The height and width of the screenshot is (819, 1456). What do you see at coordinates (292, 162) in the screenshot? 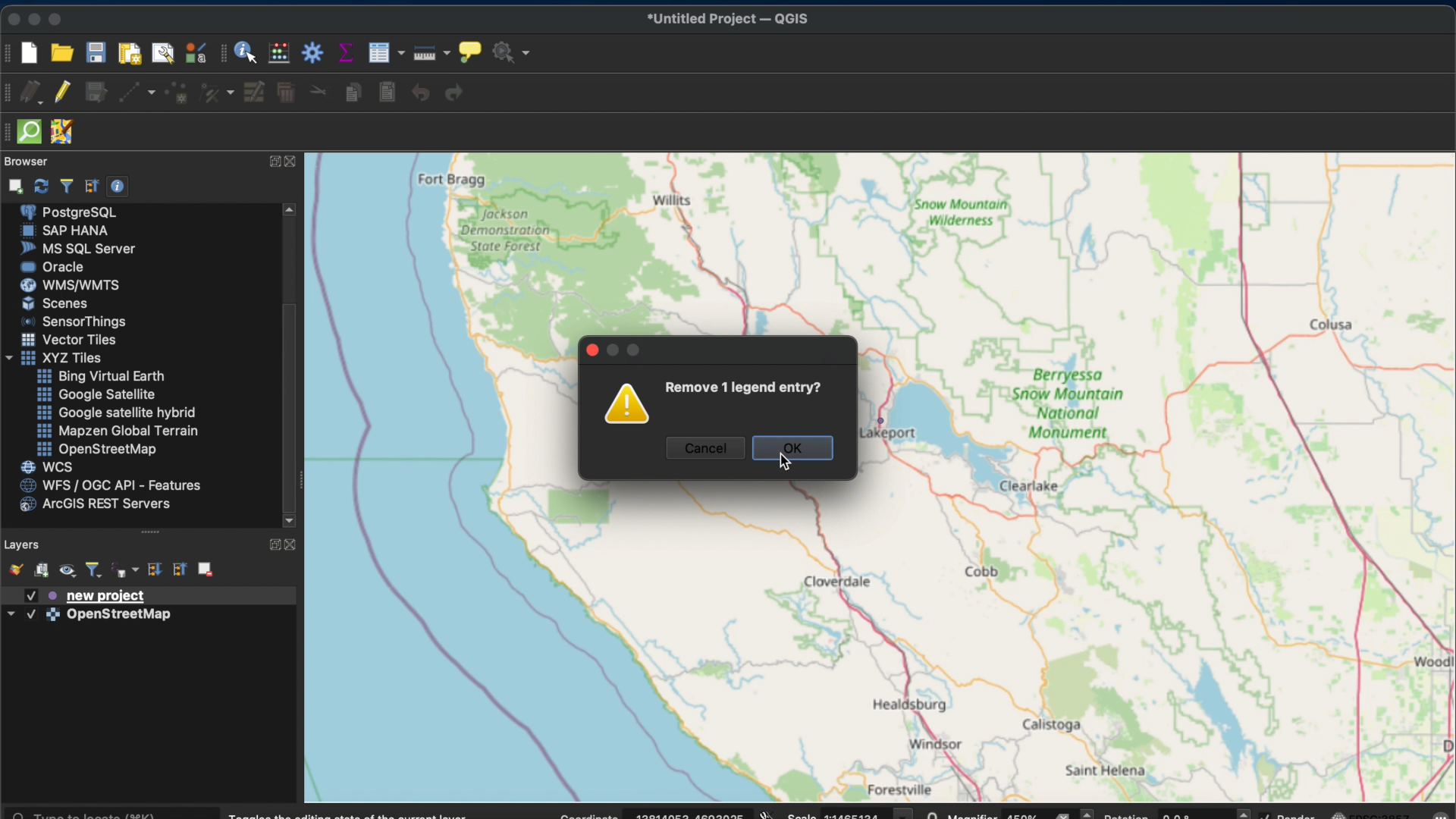
I see `CONTRACT` at bounding box center [292, 162].